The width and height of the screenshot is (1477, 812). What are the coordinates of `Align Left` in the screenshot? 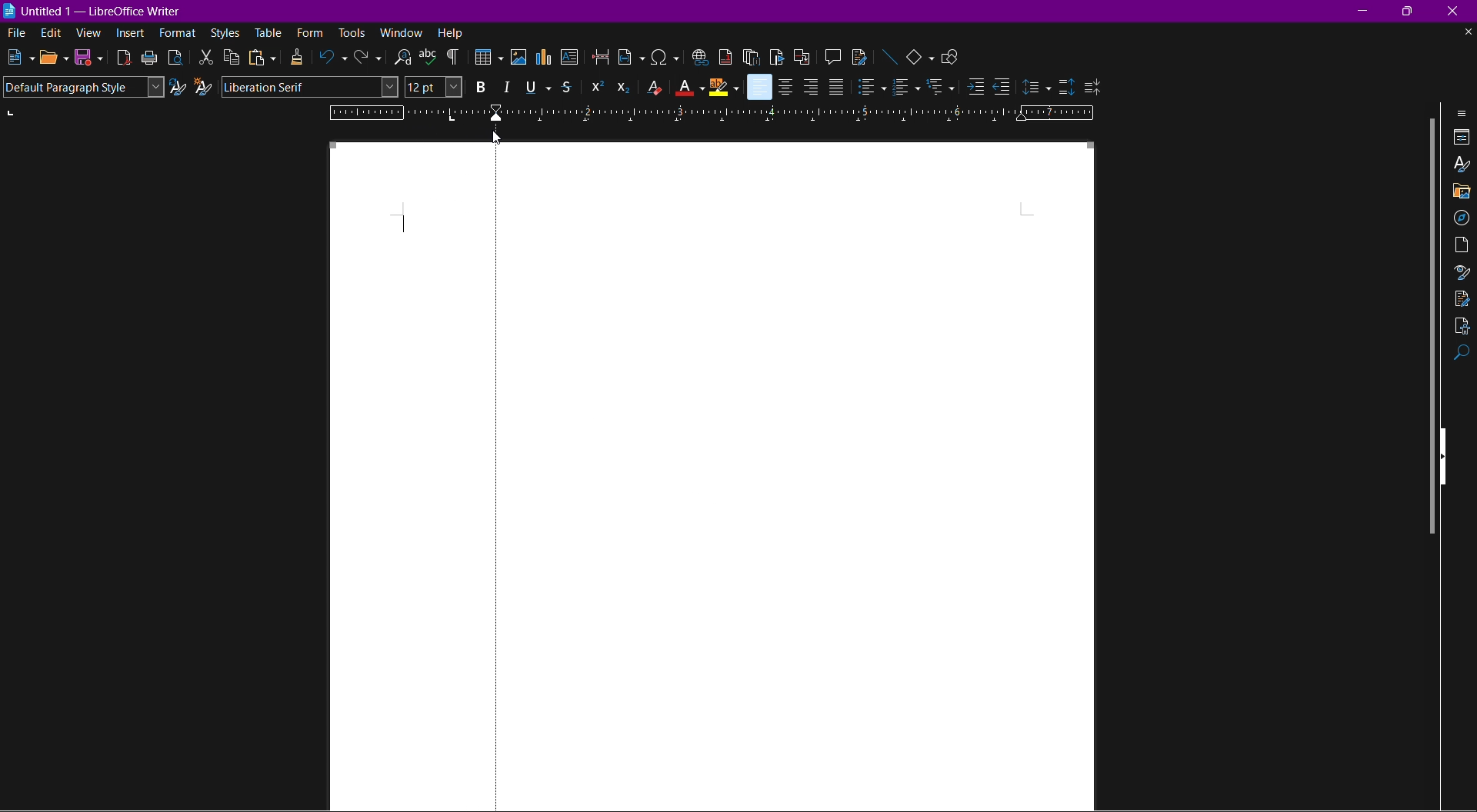 It's located at (759, 87).